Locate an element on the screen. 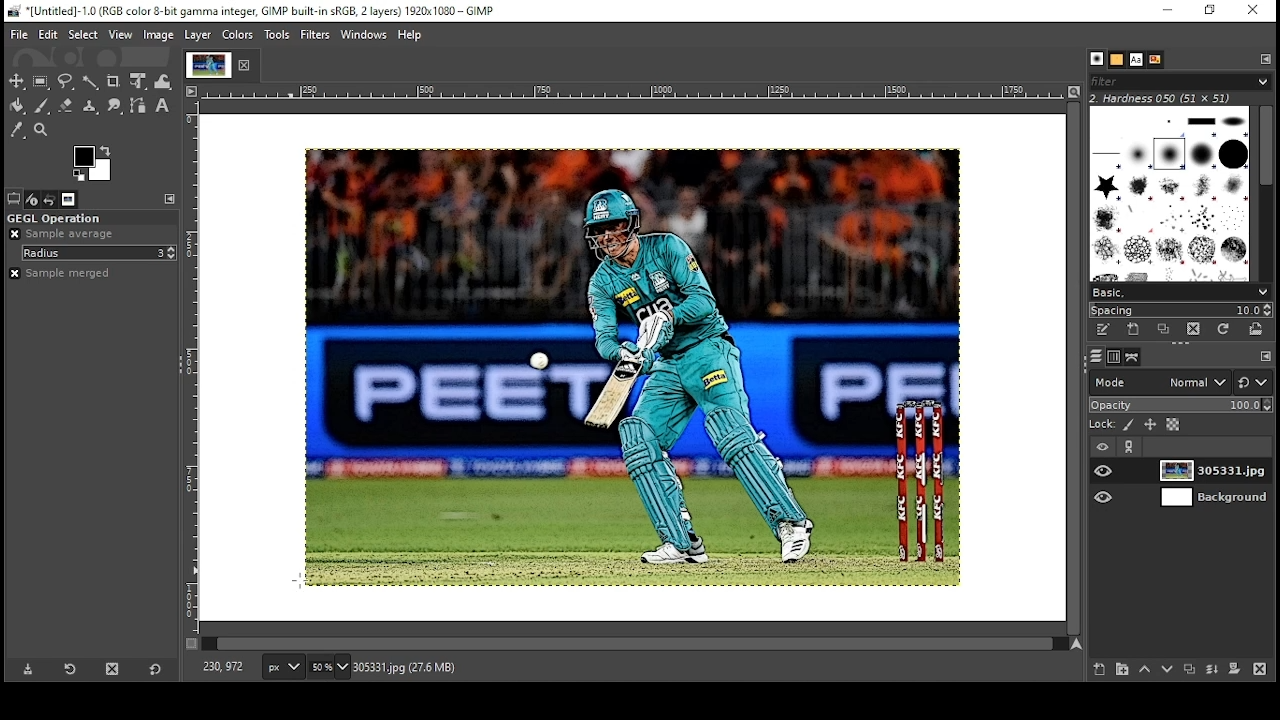 The width and height of the screenshot is (1280, 720). 230, 972 is located at coordinates (218, 668).